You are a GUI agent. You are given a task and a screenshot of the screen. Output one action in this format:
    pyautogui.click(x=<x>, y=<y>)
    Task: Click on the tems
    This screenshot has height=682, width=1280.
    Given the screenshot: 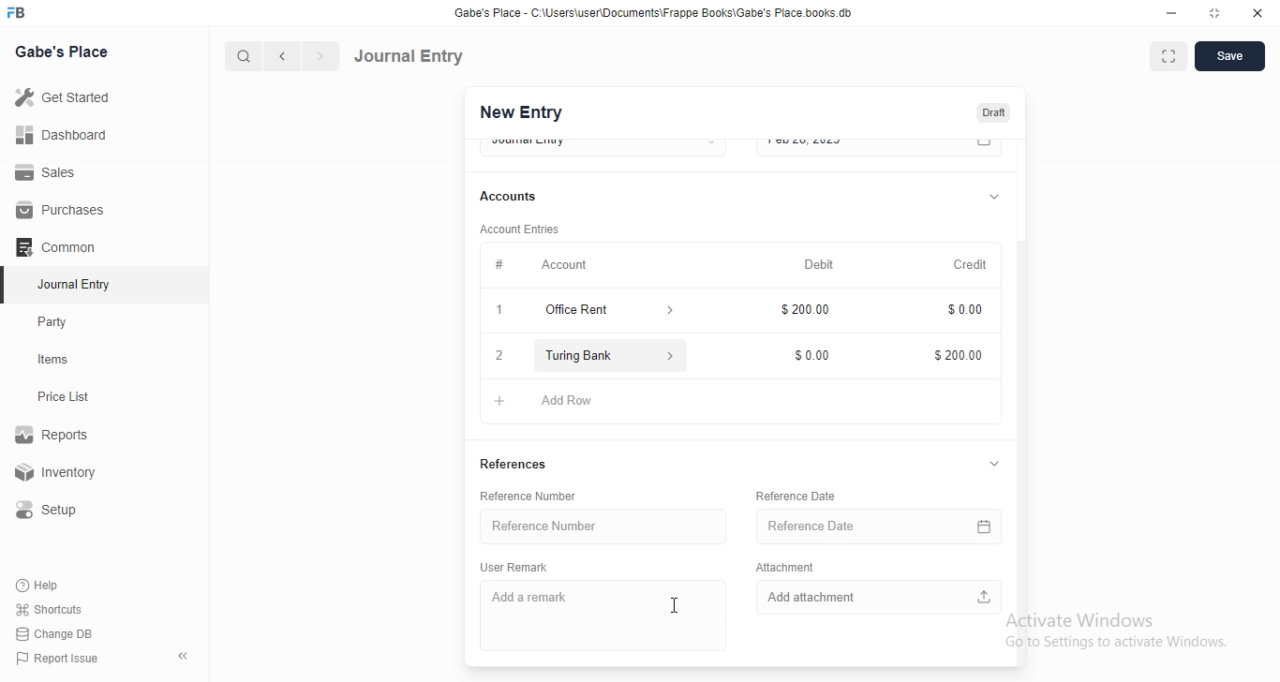 What is the action you would take?
    pyautogui.click(x=61, y=360)
    